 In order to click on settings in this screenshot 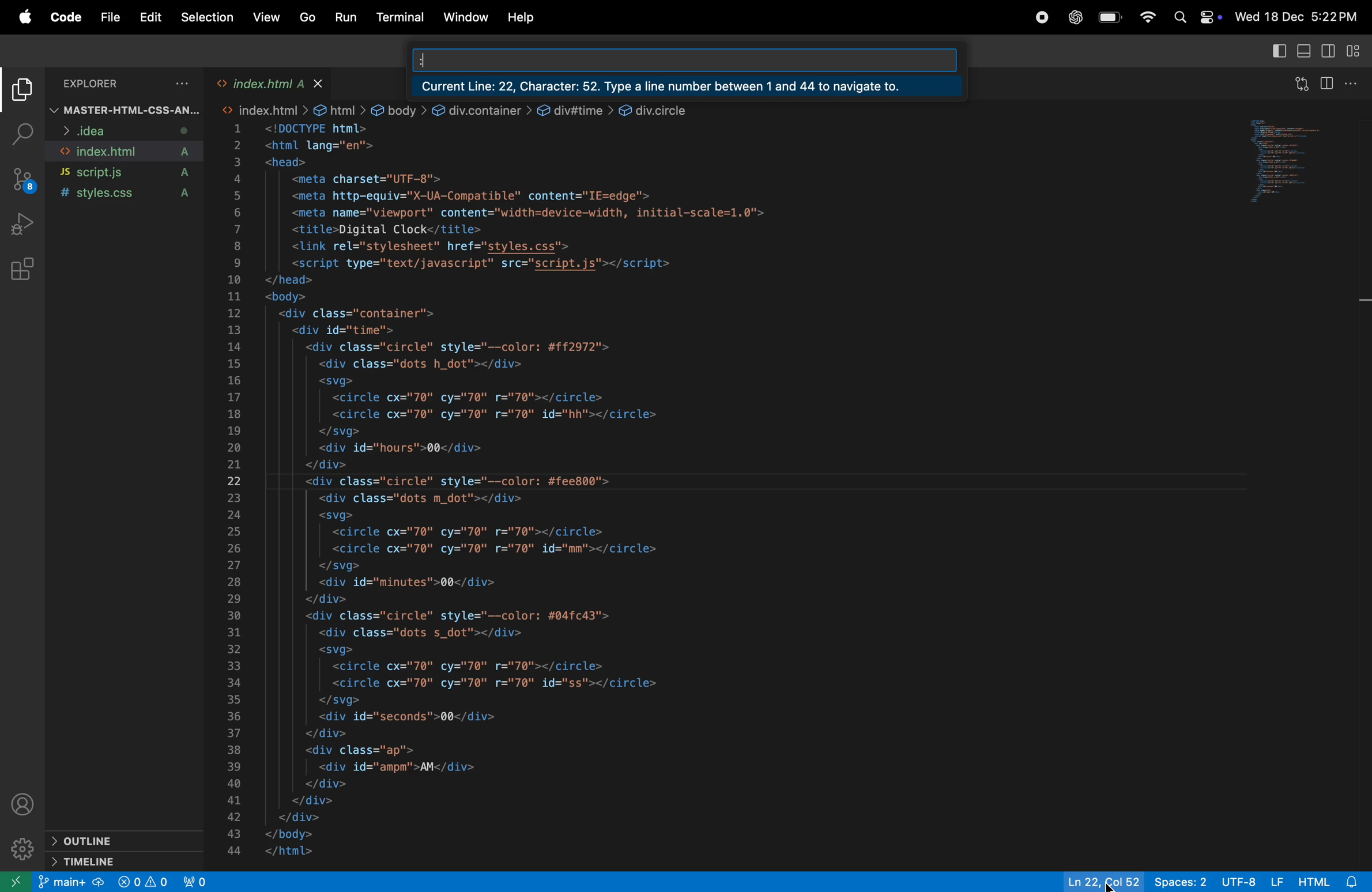, I will do `click(22, 849)`.